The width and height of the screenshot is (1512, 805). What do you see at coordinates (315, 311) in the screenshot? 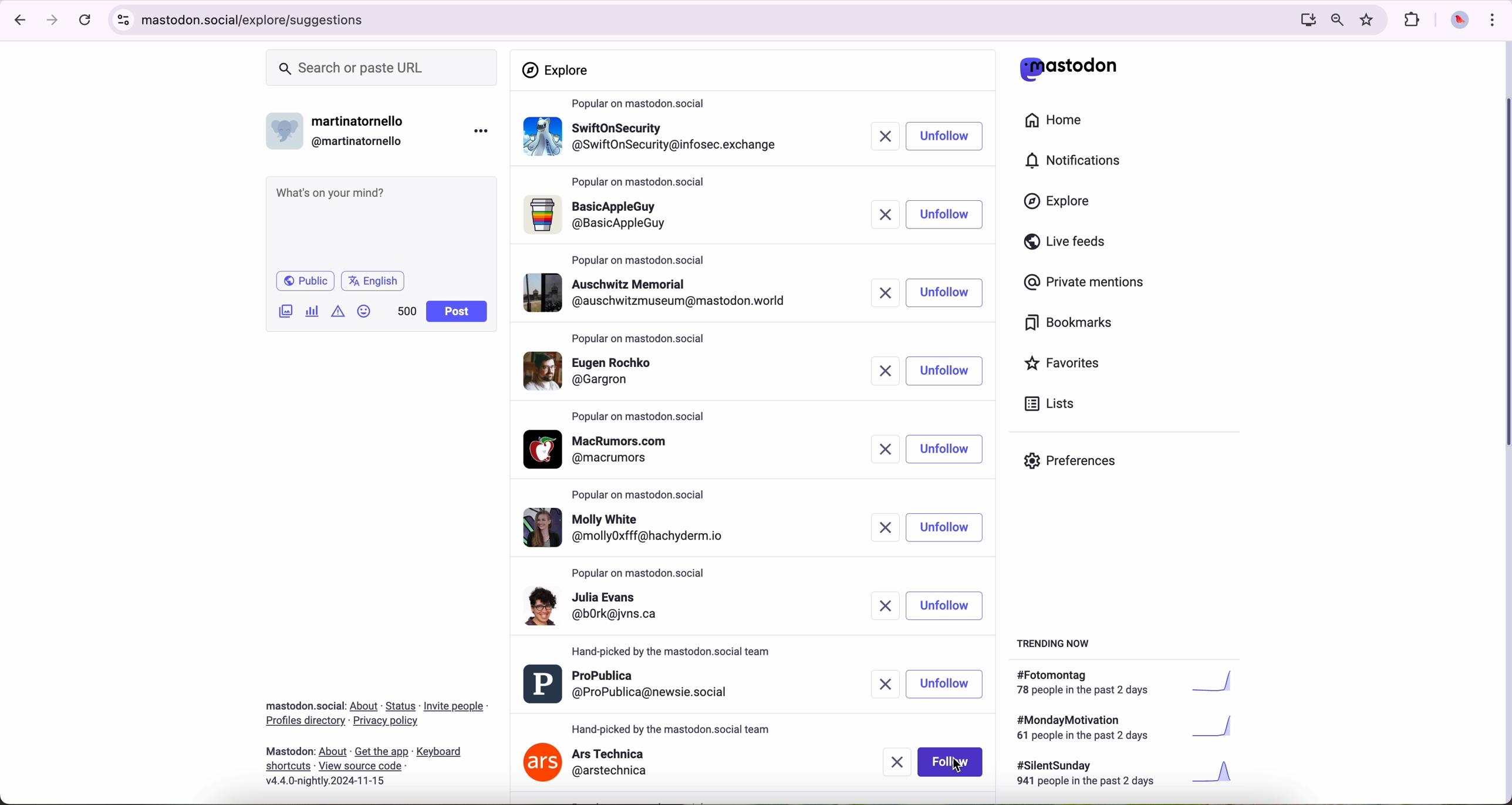
I see `charts` at bounding box center [315, 311].